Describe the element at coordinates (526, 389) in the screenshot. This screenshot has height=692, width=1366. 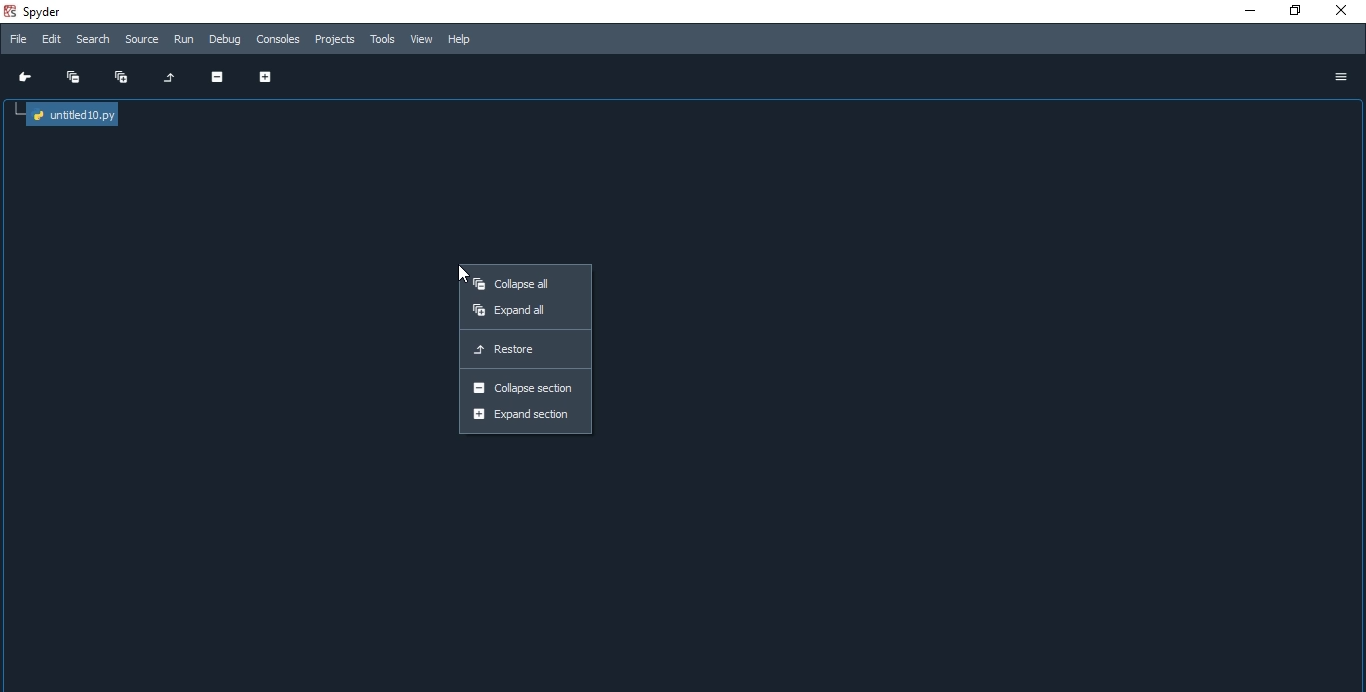
I see `Collapse section` at that location.